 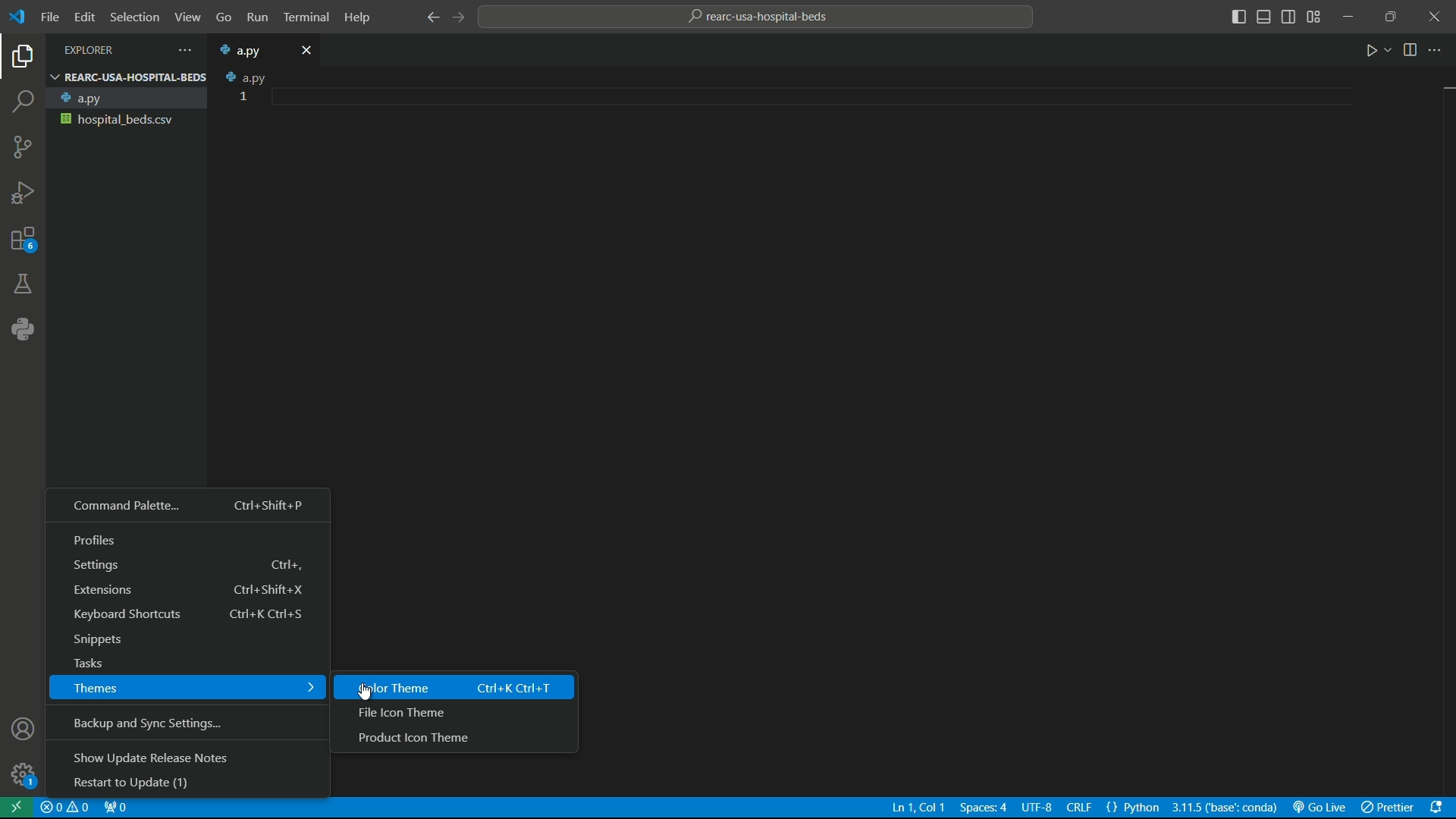 What do you see at coordinates (188, 785) in the screenshot?
I see `restart to update` at bounding box center [188, 785].